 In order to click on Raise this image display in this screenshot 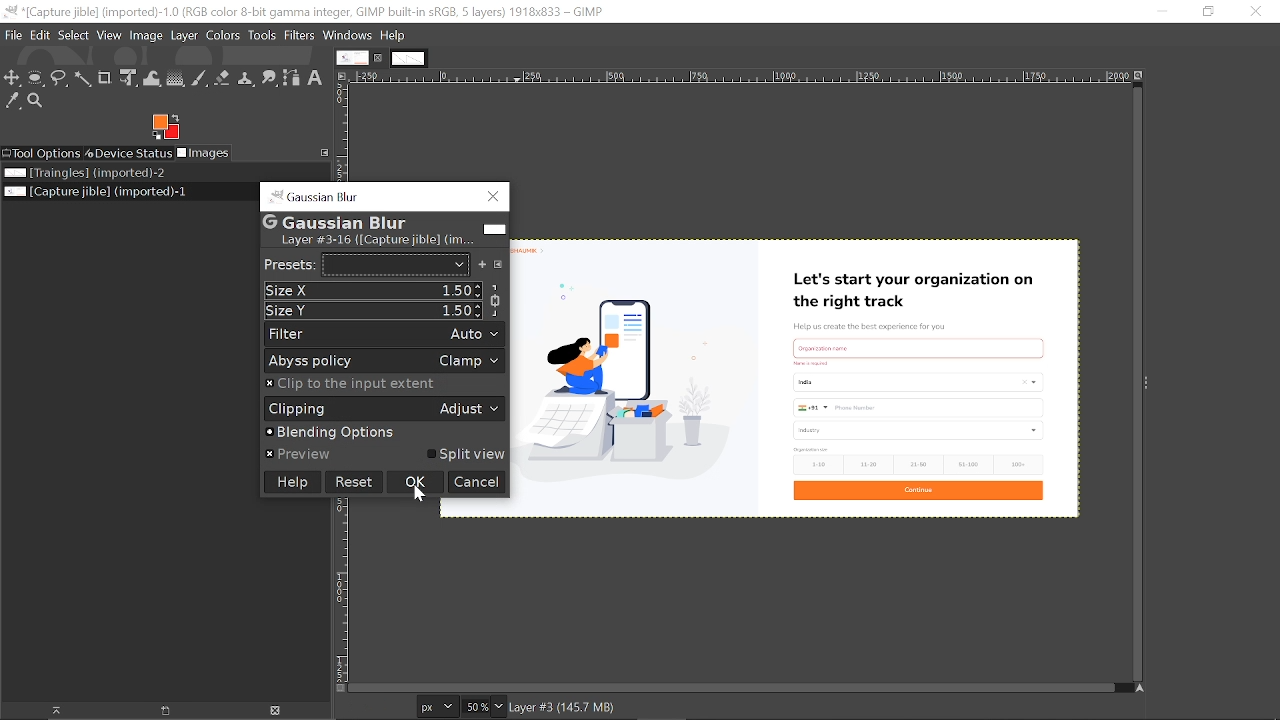, I will do `click(54, 711)`.